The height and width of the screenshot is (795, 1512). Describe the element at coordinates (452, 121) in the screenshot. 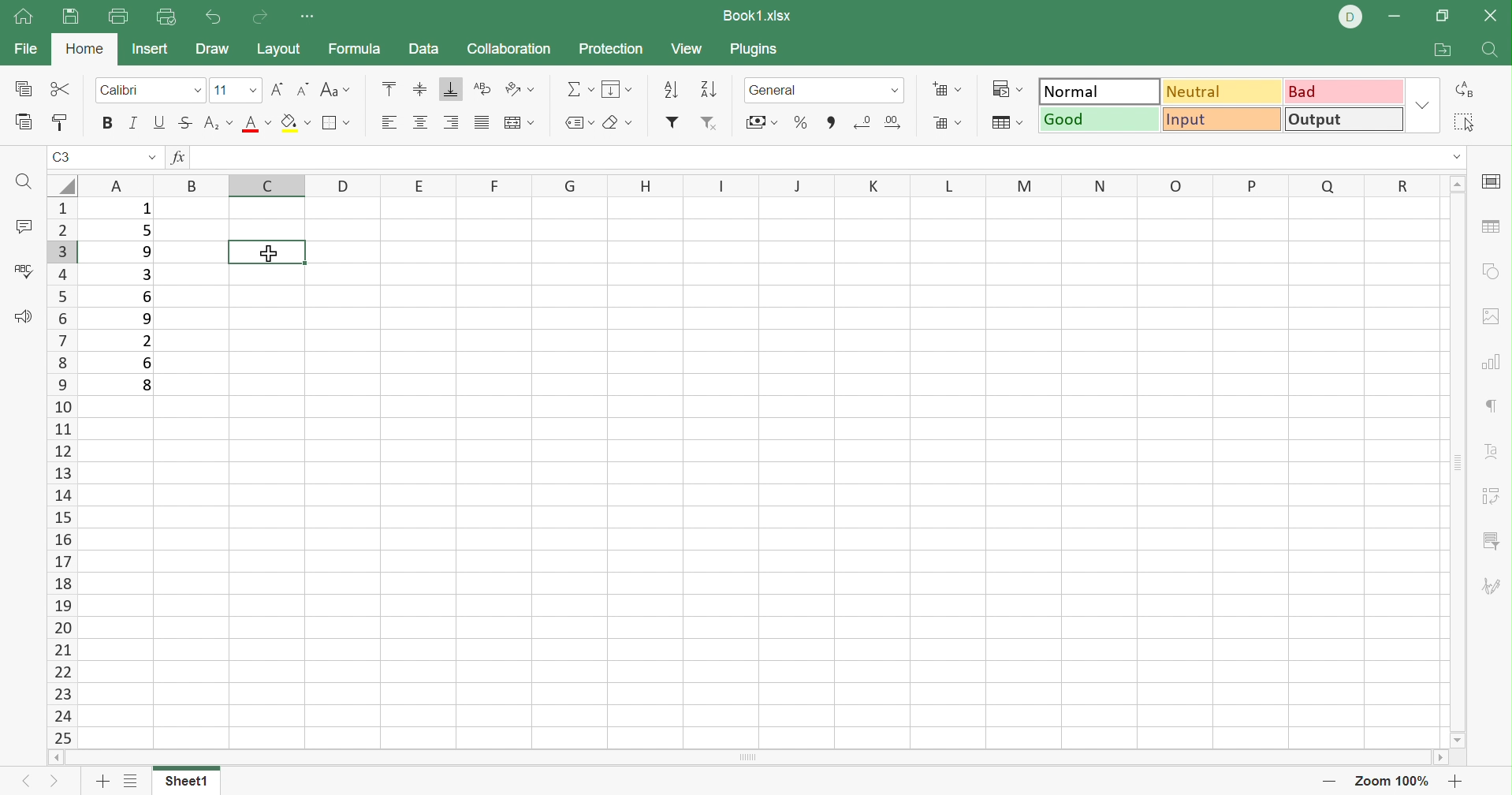

I see `Align Right` at that location.